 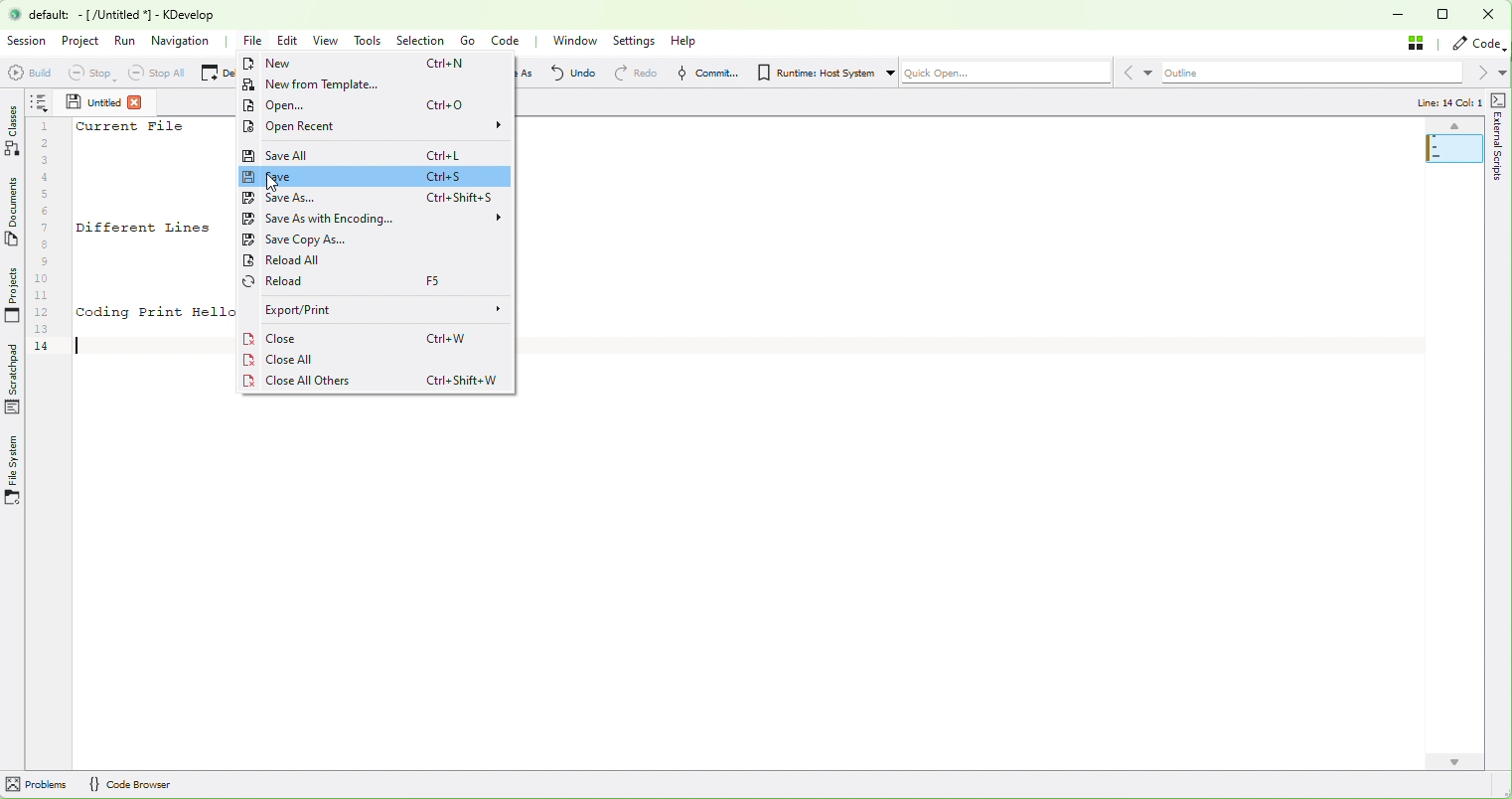 What do you see at coordinates (275, 339) in the screenshot?
I see `Close` at bounding box center [275, 339].